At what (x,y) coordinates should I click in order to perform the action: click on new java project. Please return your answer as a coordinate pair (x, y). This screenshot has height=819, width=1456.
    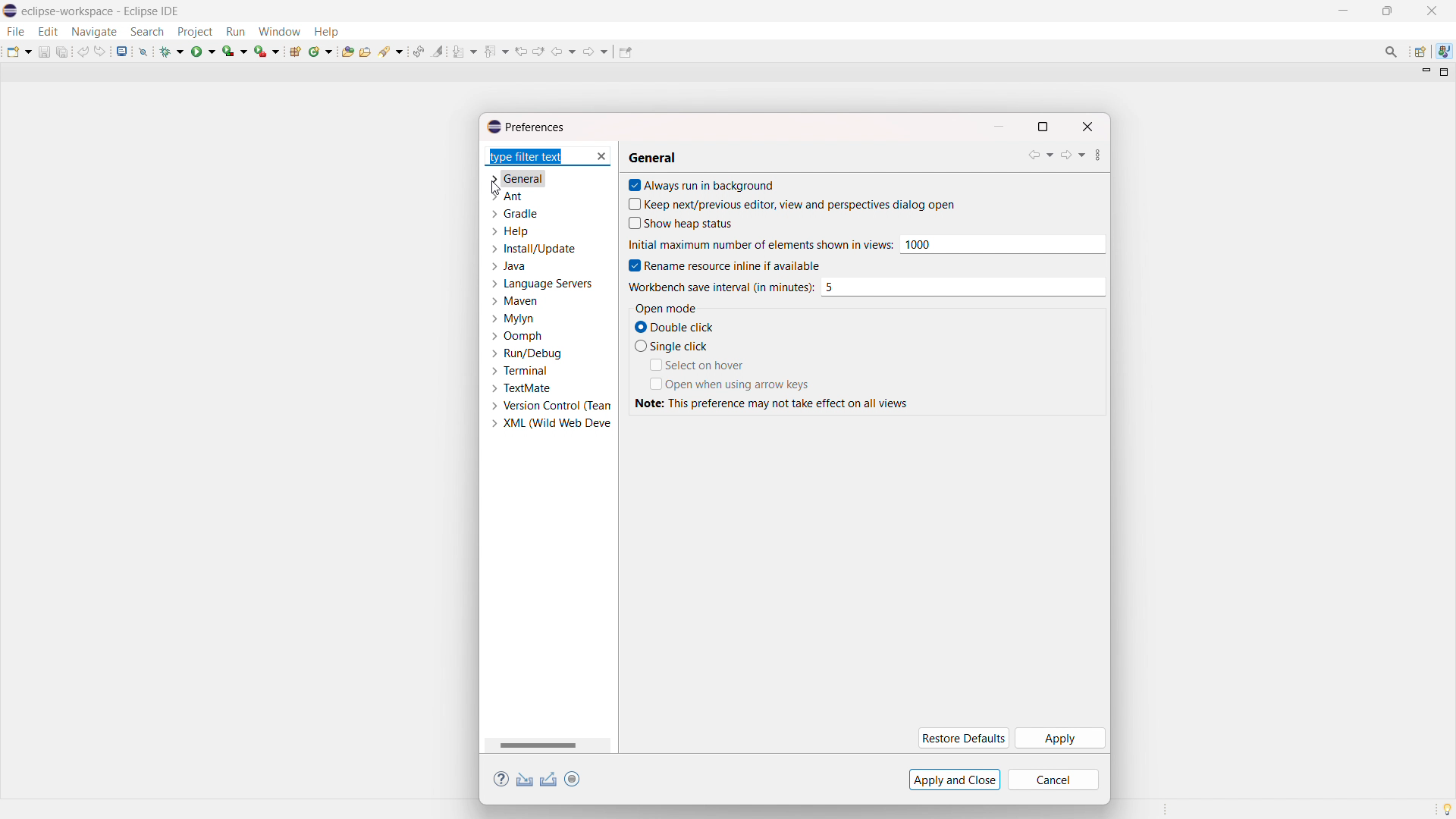
    Looking at the image, I should click on (297, 52).